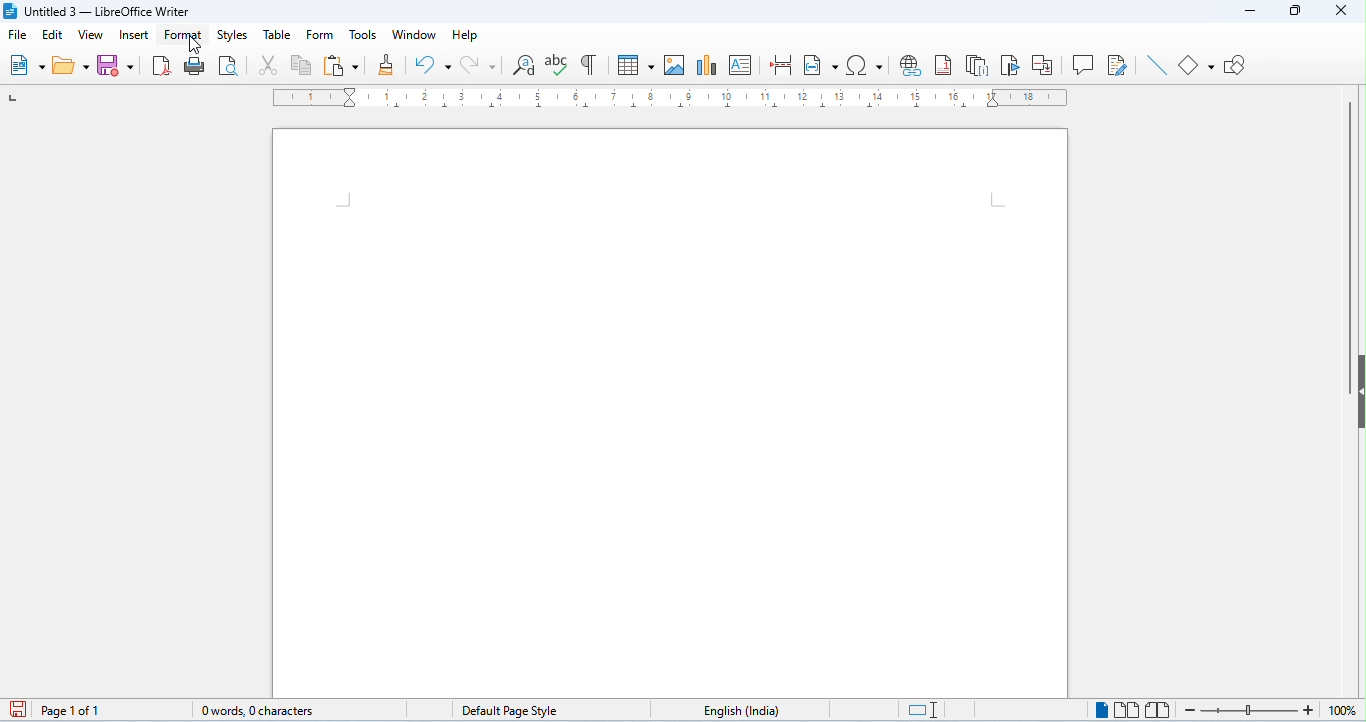  Describe the element at coordinates (1101, 710) in the screenshot. I see `single page view` at that location.